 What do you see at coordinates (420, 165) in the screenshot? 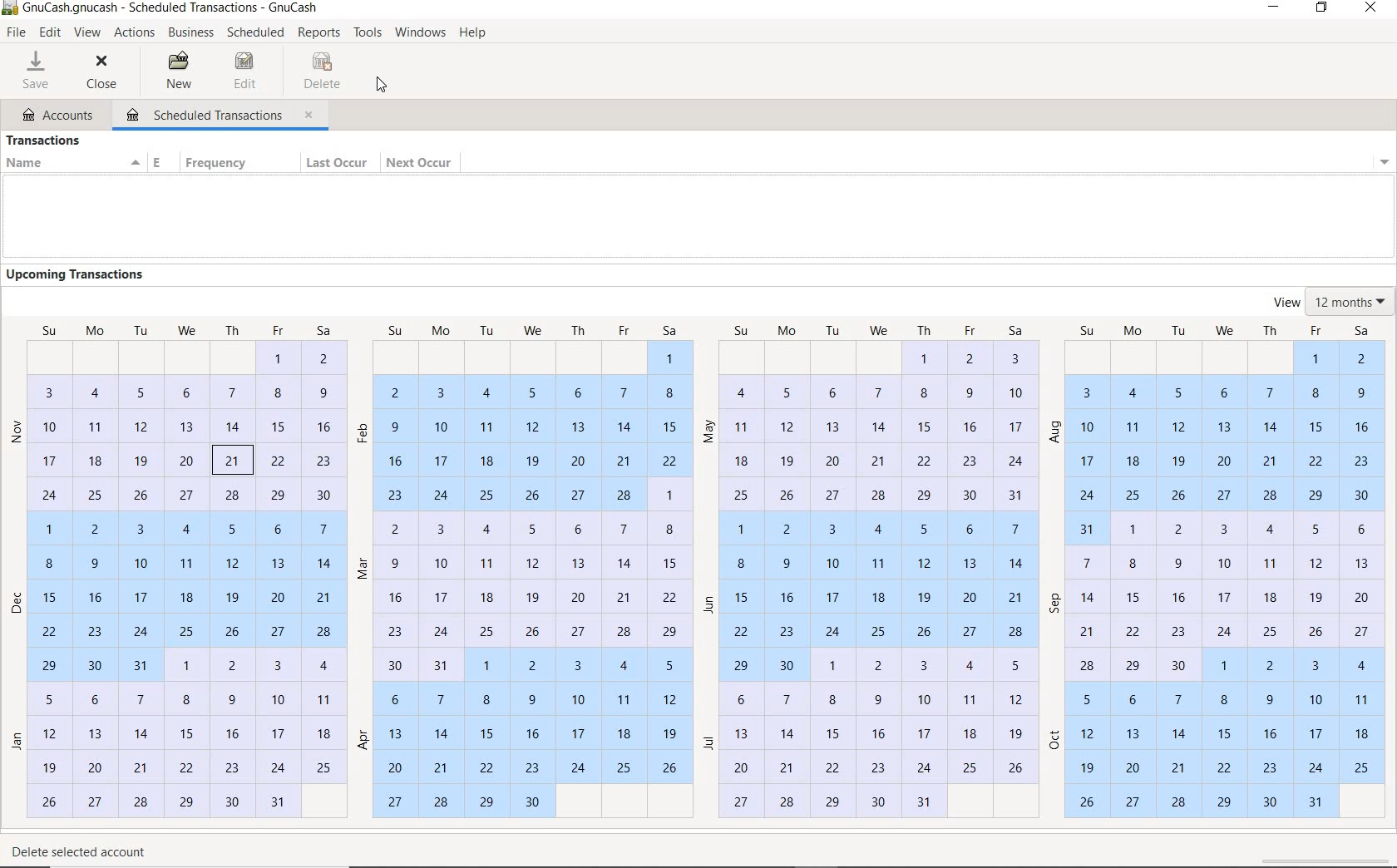
I see `NEXT OCCUR` at bounding box center [420, 165].